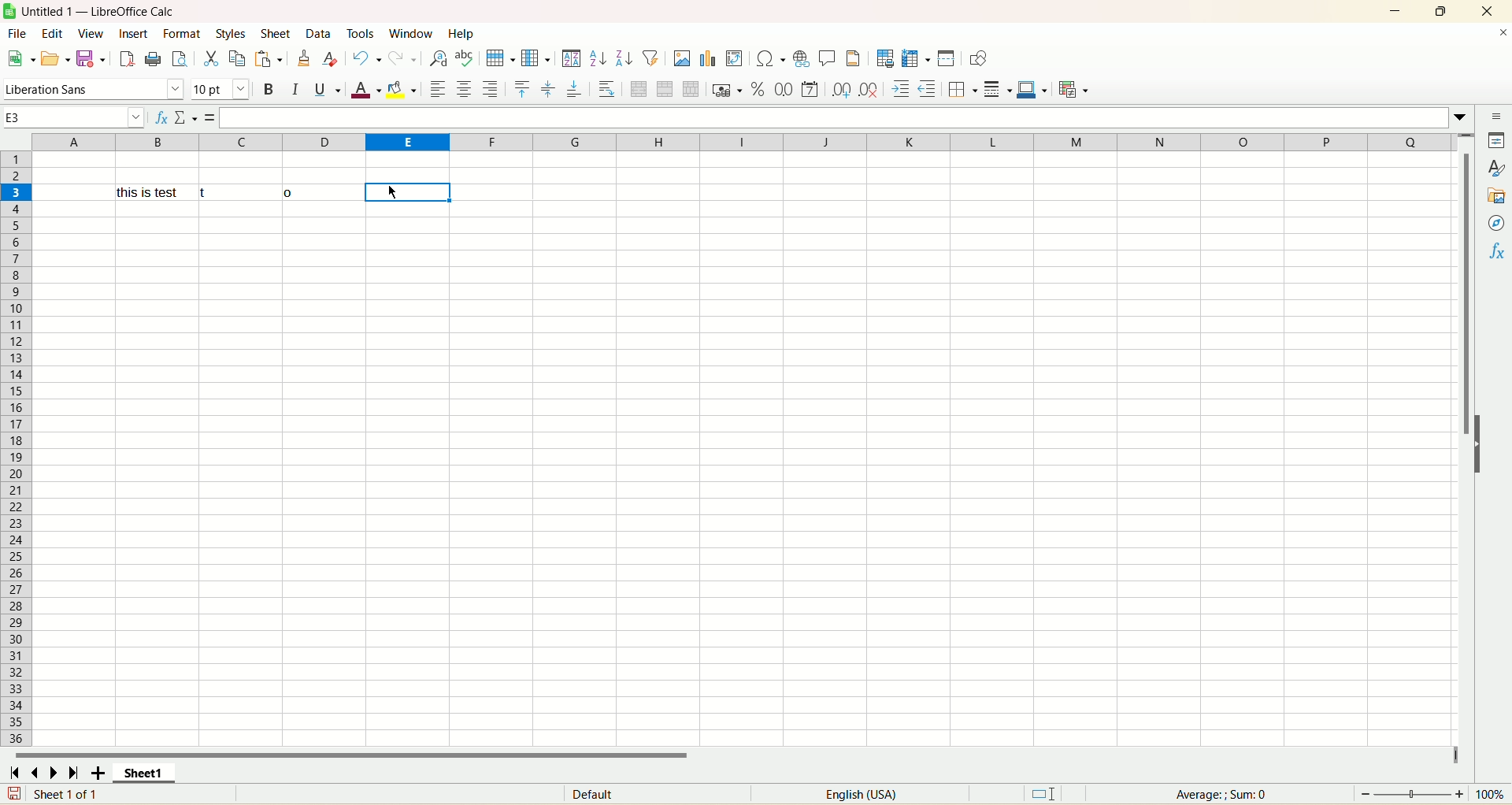 Image resolution: width=1512 pixels, height=805 pixels. I want to click on tools, so click(361, 32).